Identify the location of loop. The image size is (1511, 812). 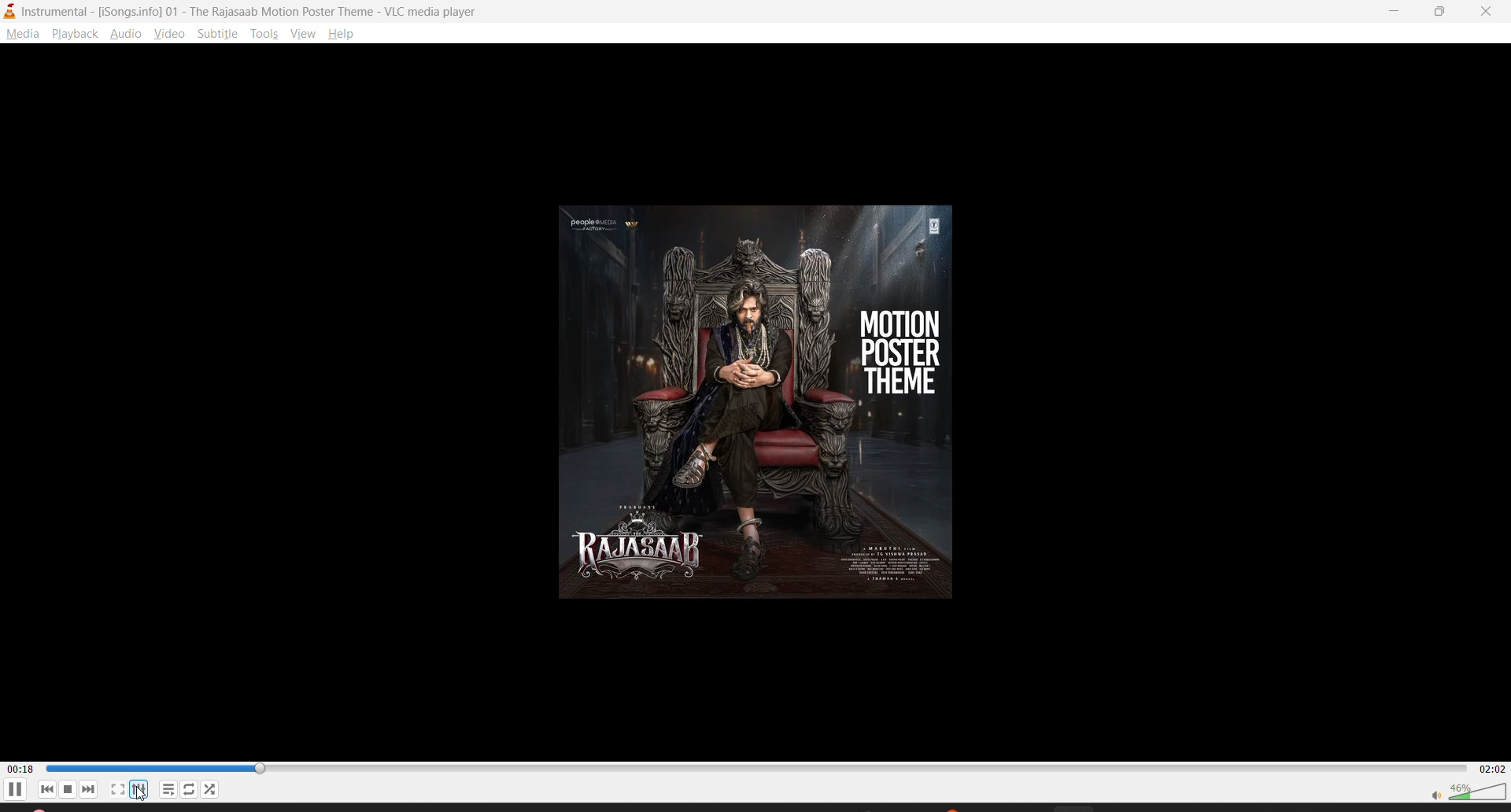
(190, 788).